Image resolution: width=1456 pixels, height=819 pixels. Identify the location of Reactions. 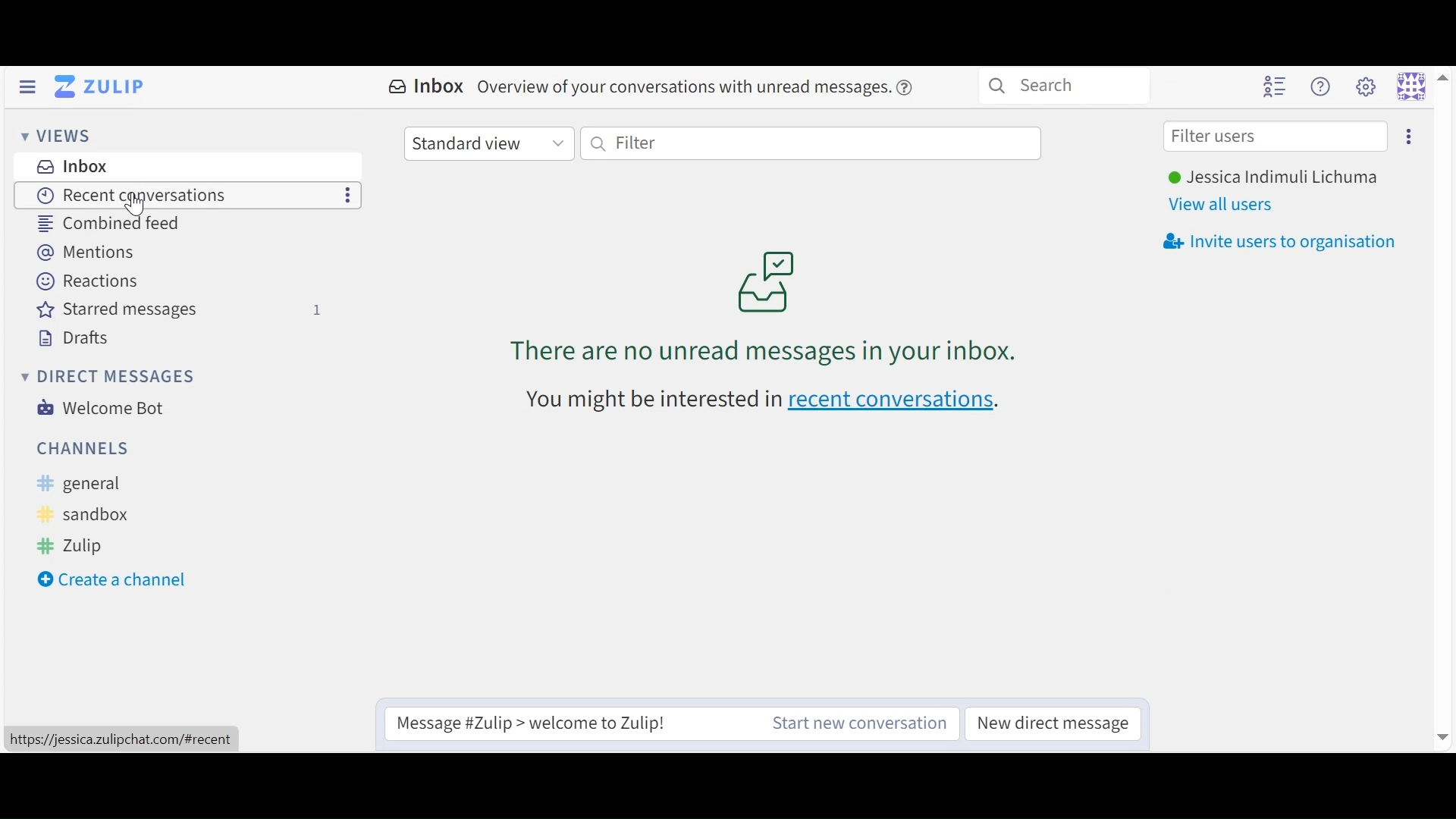
(85, 282).